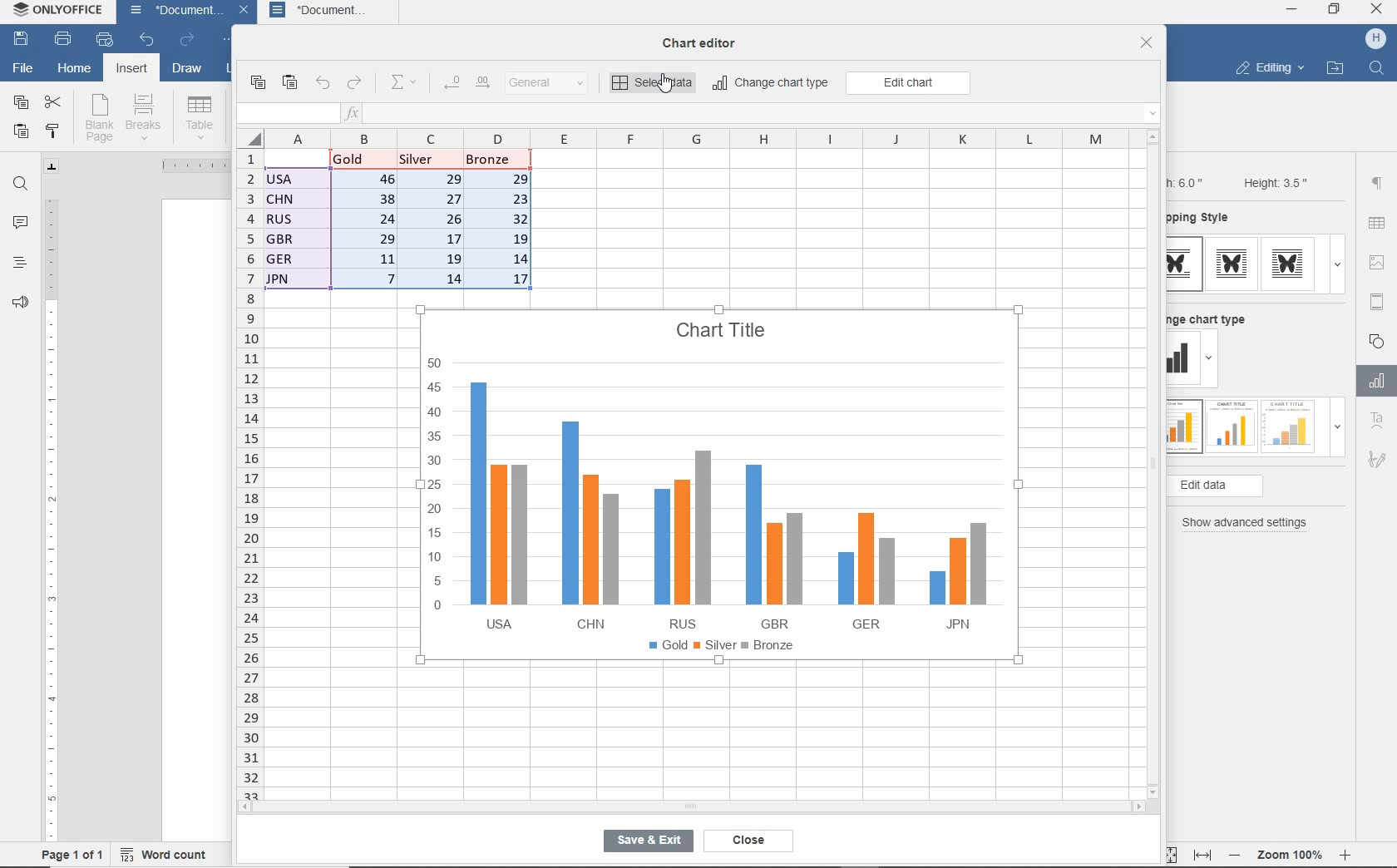 The width and height of the screenshot is (1397, 868). Describe the element at coordinates (249, 808) in the screenshot. I see `scroll left` at that location.